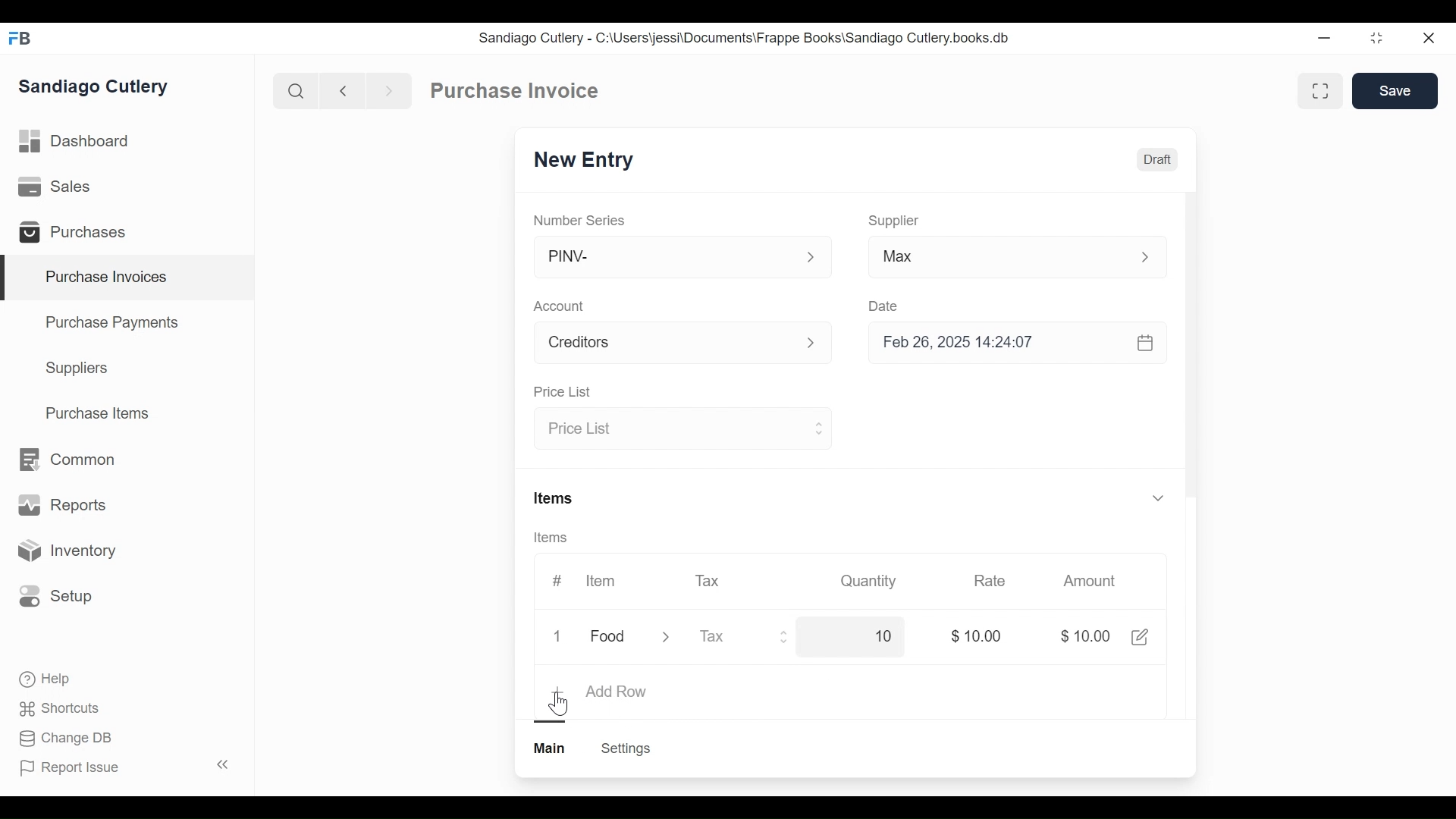 The width and height of the screenshot is (1456, 819). I want to click on Max, so click(987, 259).